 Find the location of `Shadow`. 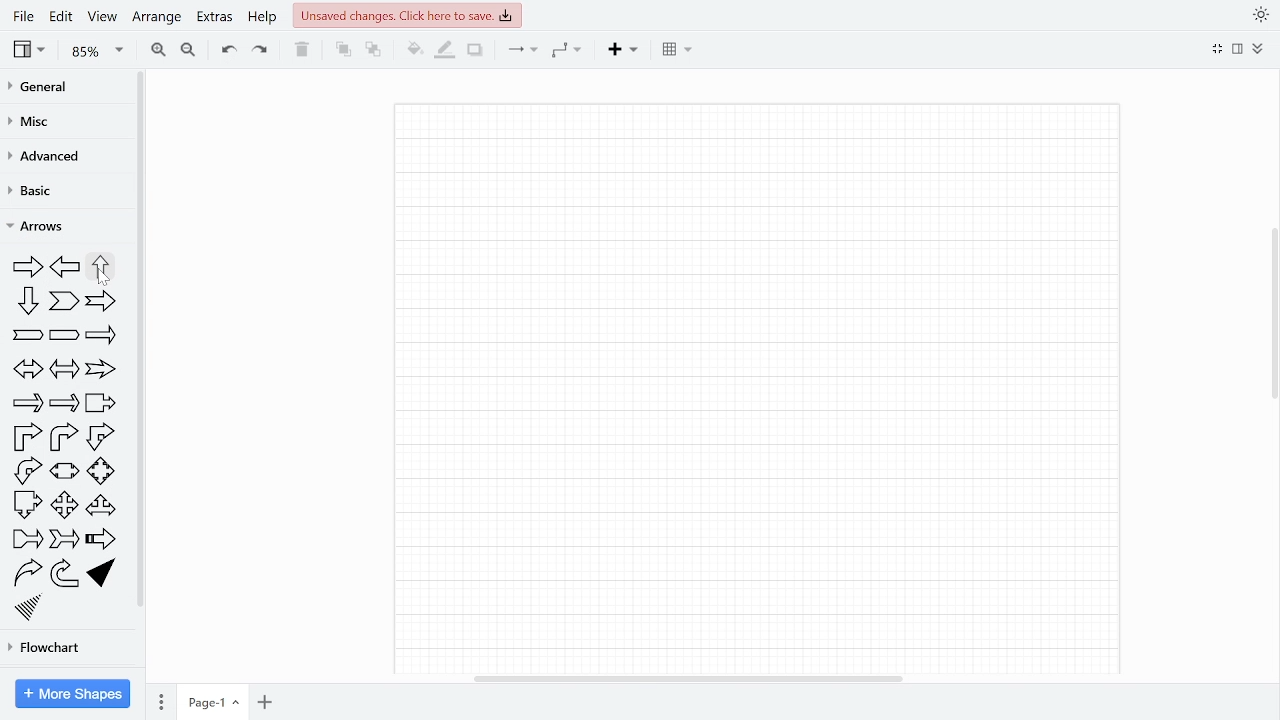

Shadow is located at coordinates (475, 50).